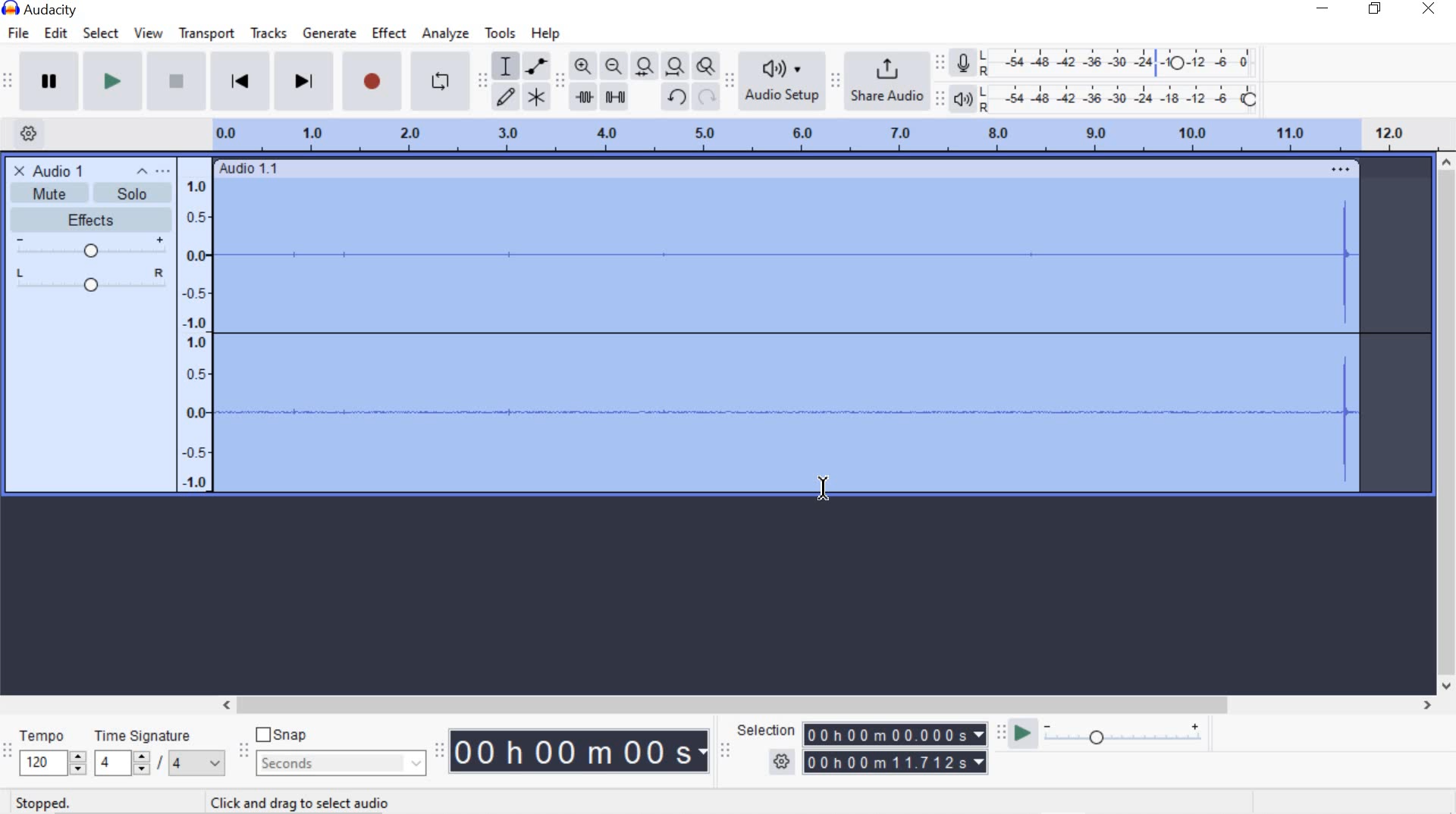 The height and width of the screenshot is (814, 1456). What do you see at coordinates (206, 33) in the screenshot?
I see `transport` at bounding box center [206, 33].